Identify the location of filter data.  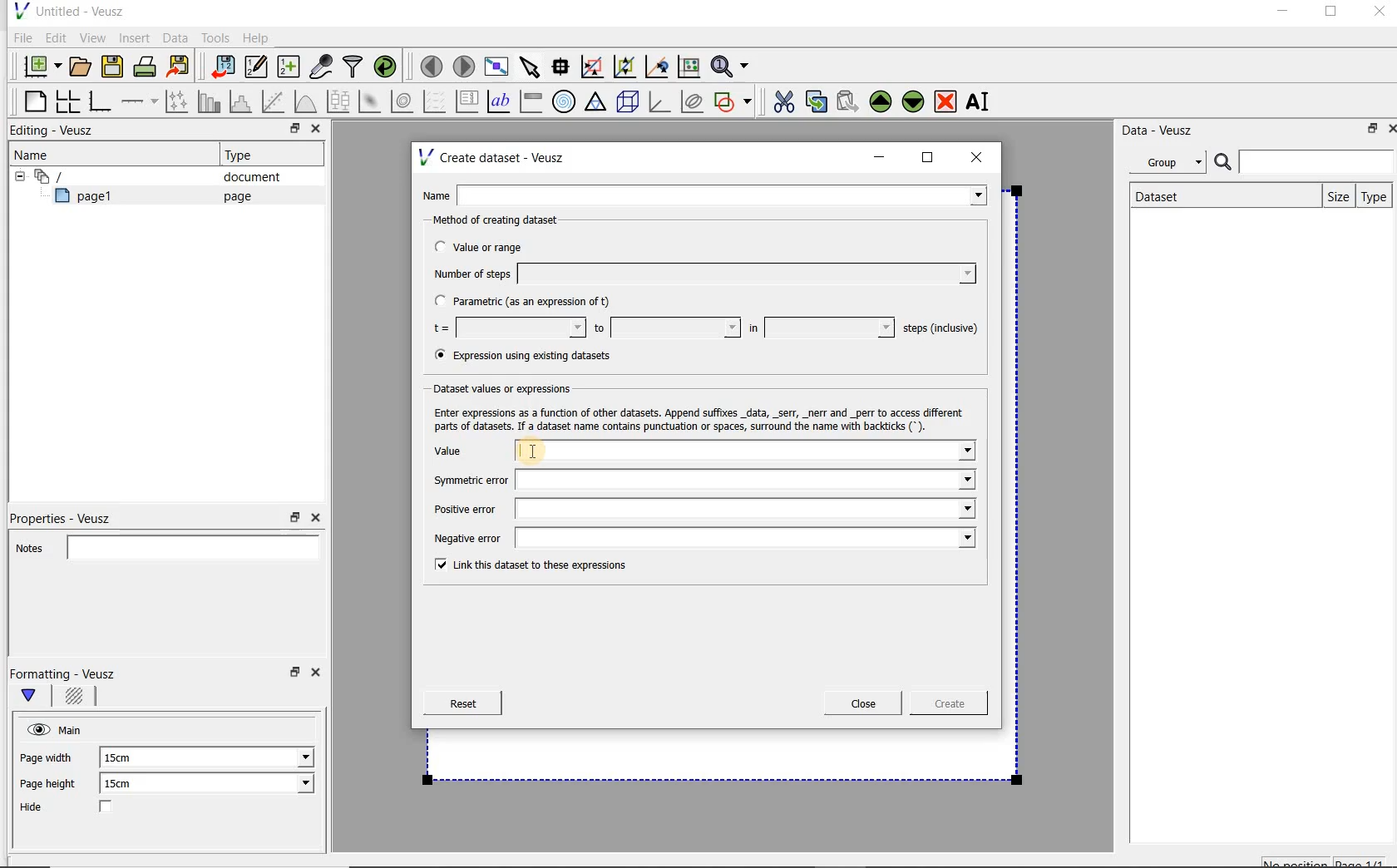
(353, 68).